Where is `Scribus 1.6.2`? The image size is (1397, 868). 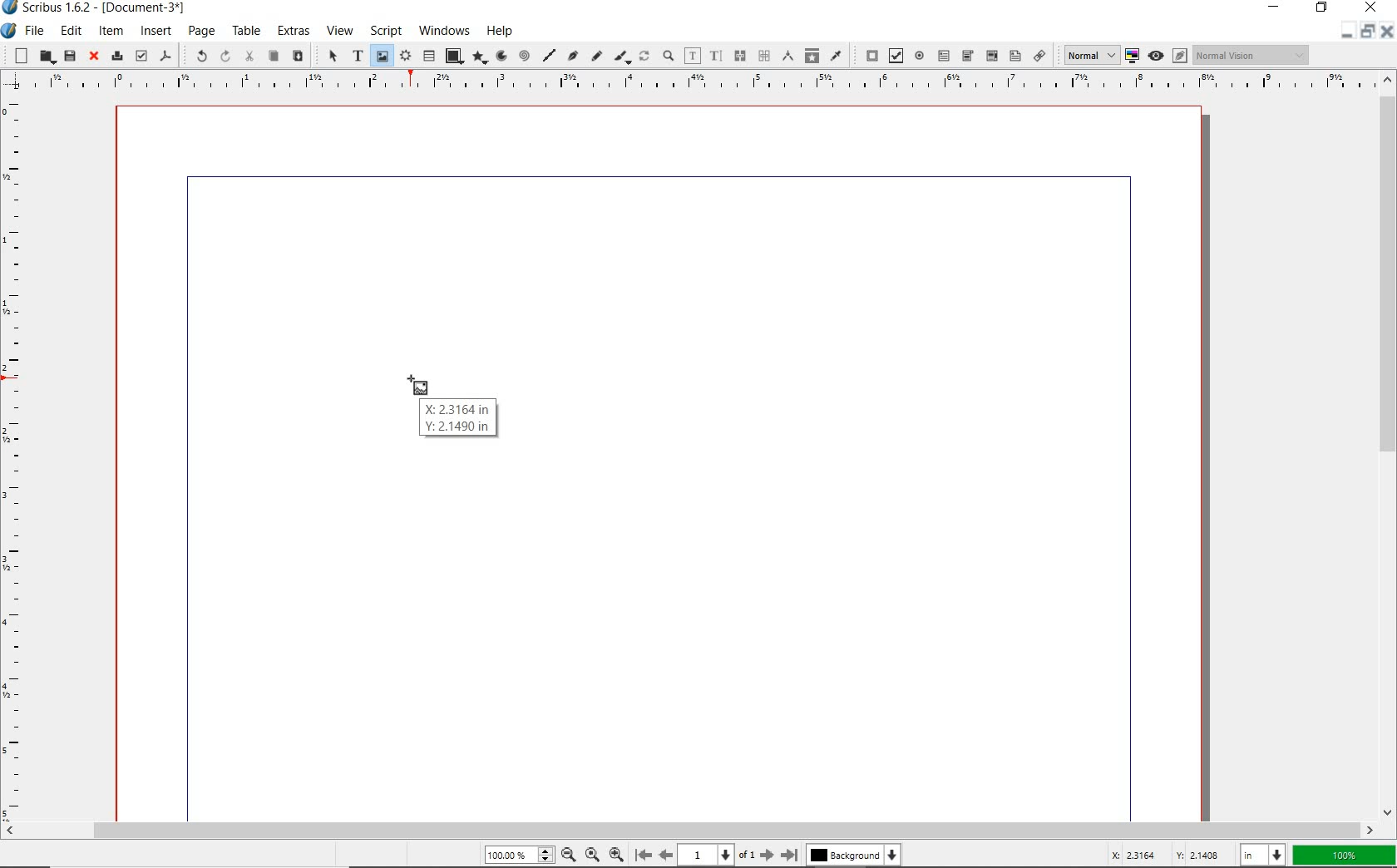
Scribus 1.6.2 is located at coordinates (97, 8).